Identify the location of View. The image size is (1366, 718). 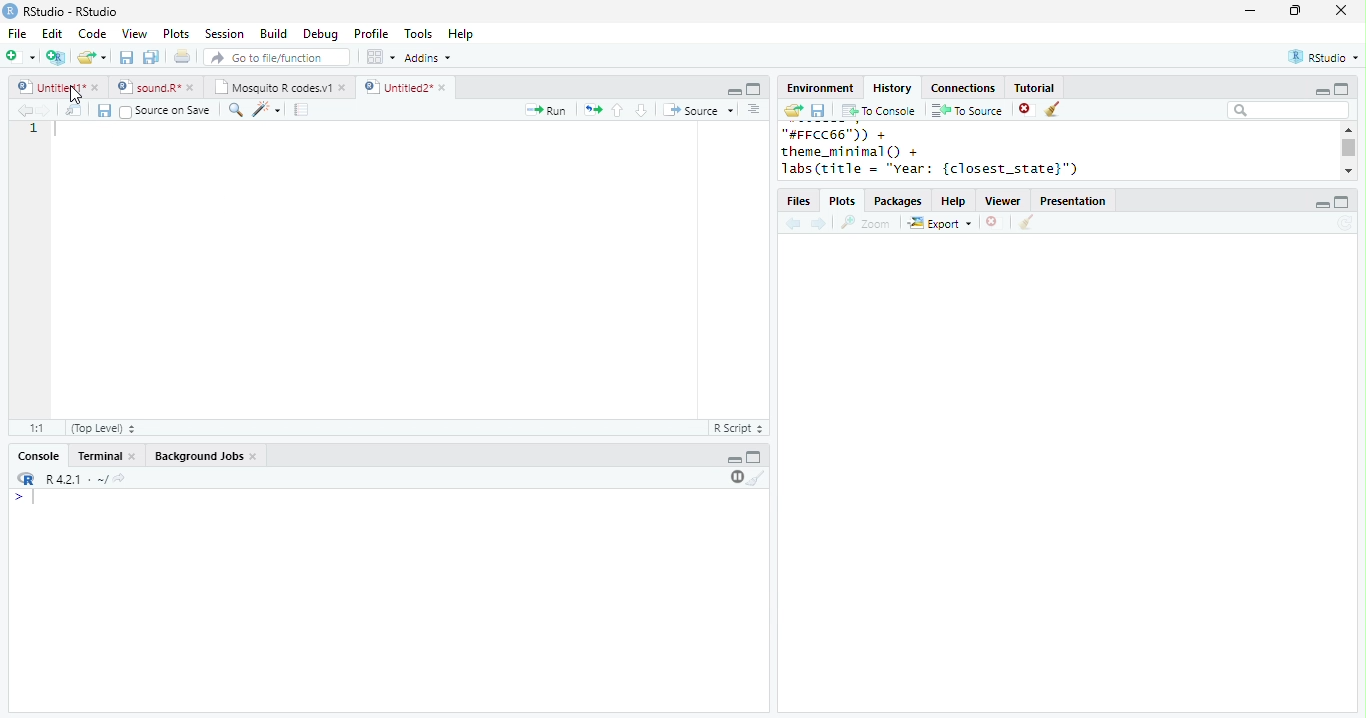
(134, 34).